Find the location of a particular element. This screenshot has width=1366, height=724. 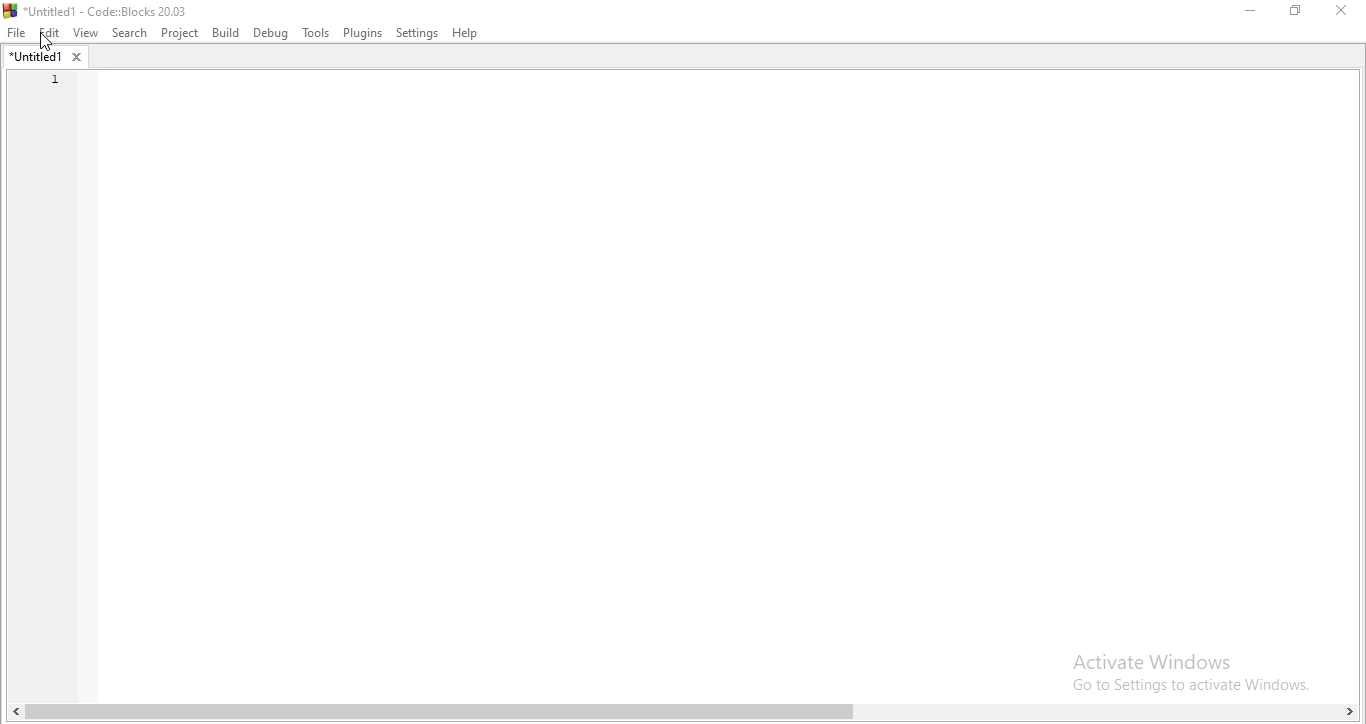

Help is located at coordinates (466, 33).